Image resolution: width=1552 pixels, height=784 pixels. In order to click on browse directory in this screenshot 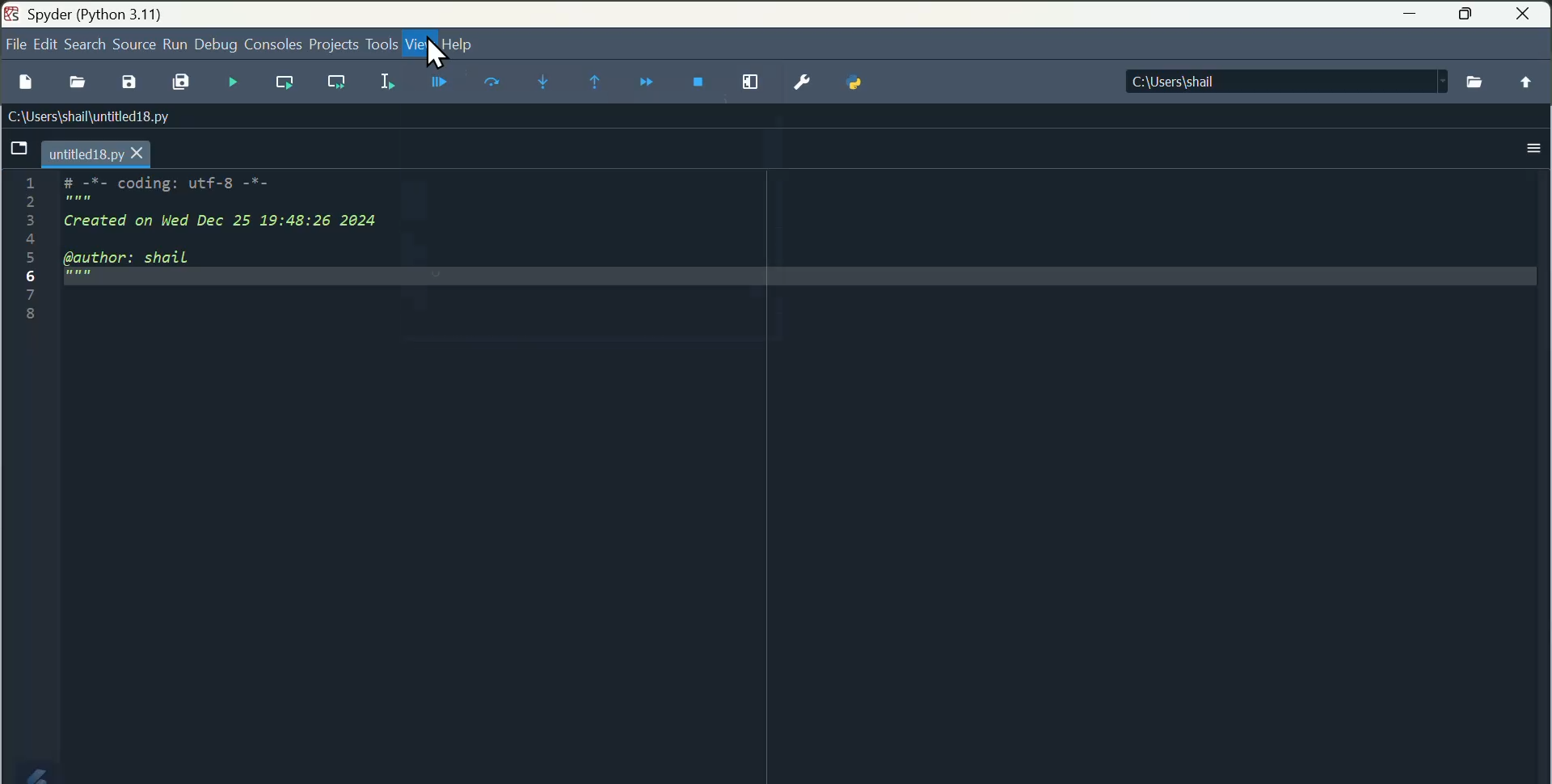, I will do `click(1477, 81)`.